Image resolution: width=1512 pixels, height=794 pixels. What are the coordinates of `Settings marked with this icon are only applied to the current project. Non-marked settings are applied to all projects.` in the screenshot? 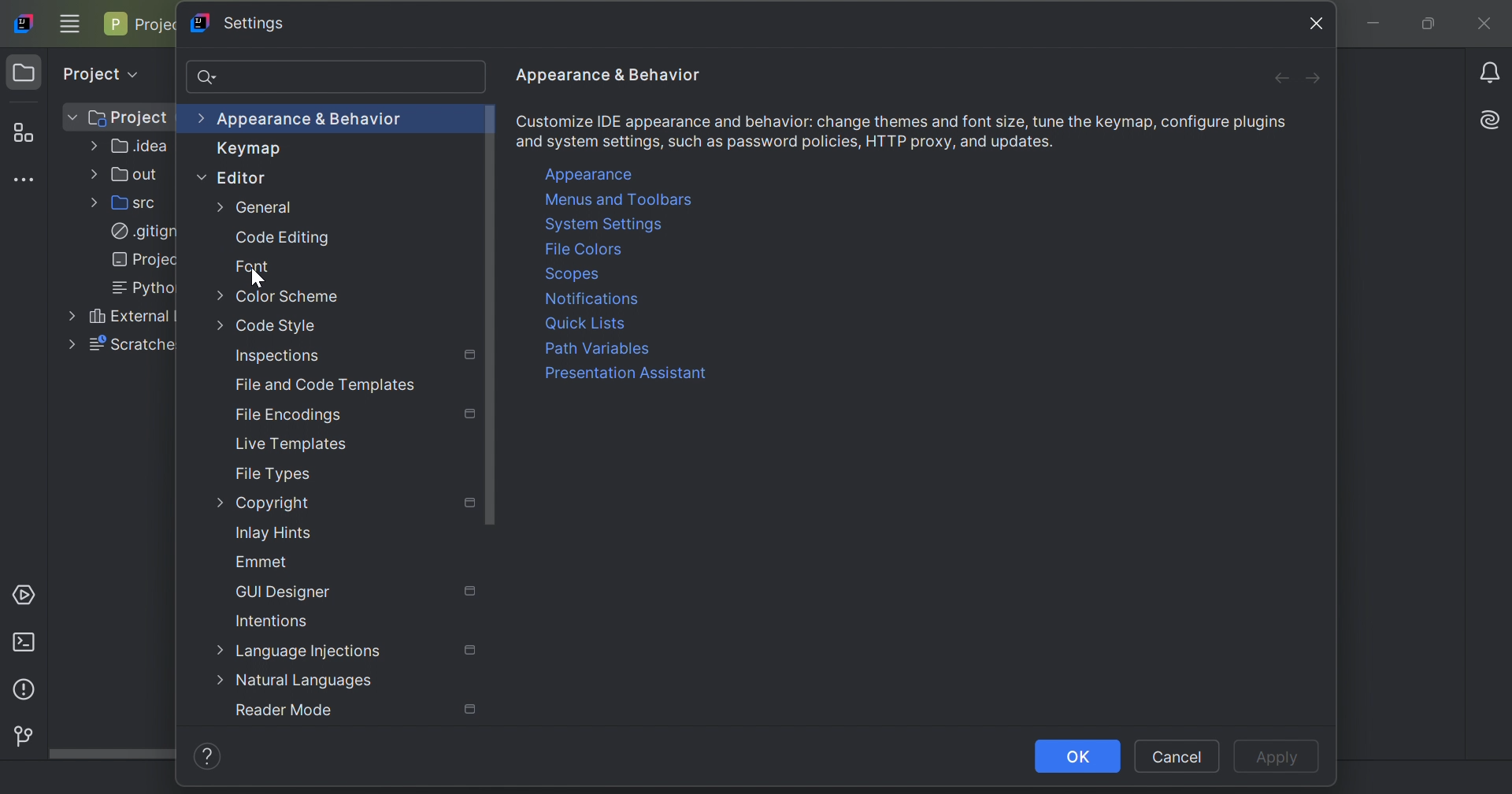 It's located at (472, 711).